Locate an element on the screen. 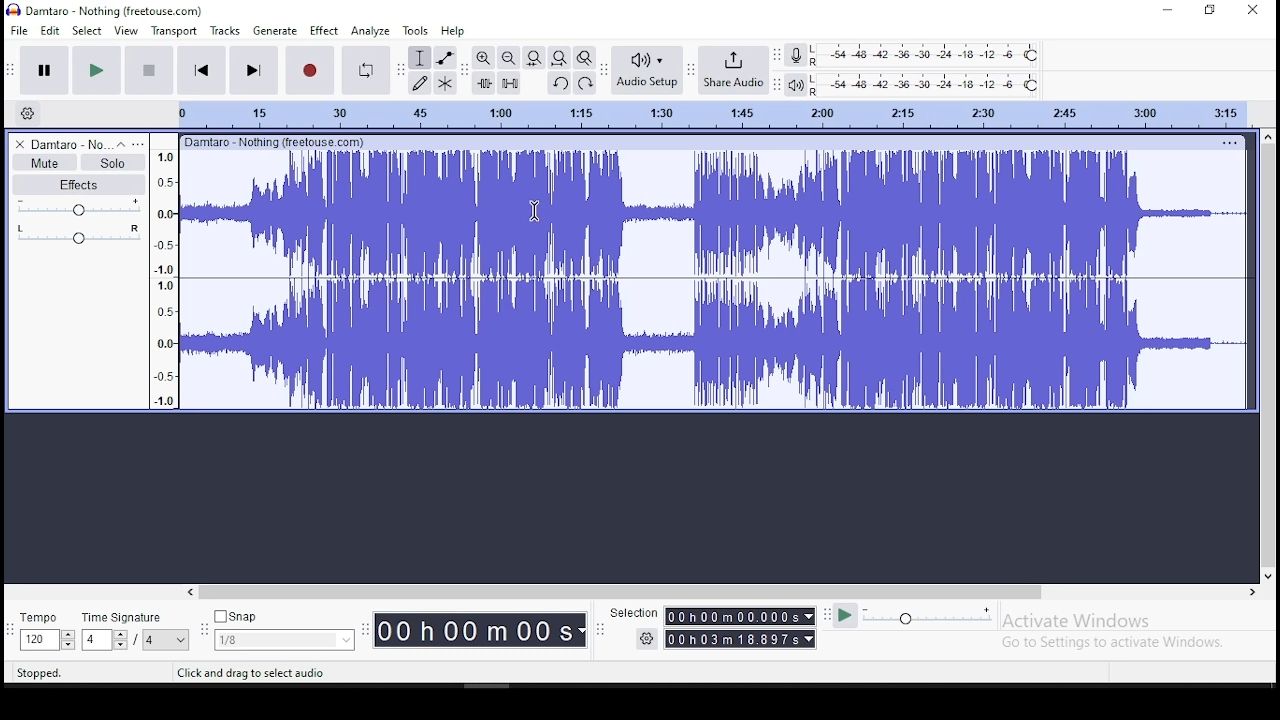  silence audio selection is located at coordinates (510, 82).